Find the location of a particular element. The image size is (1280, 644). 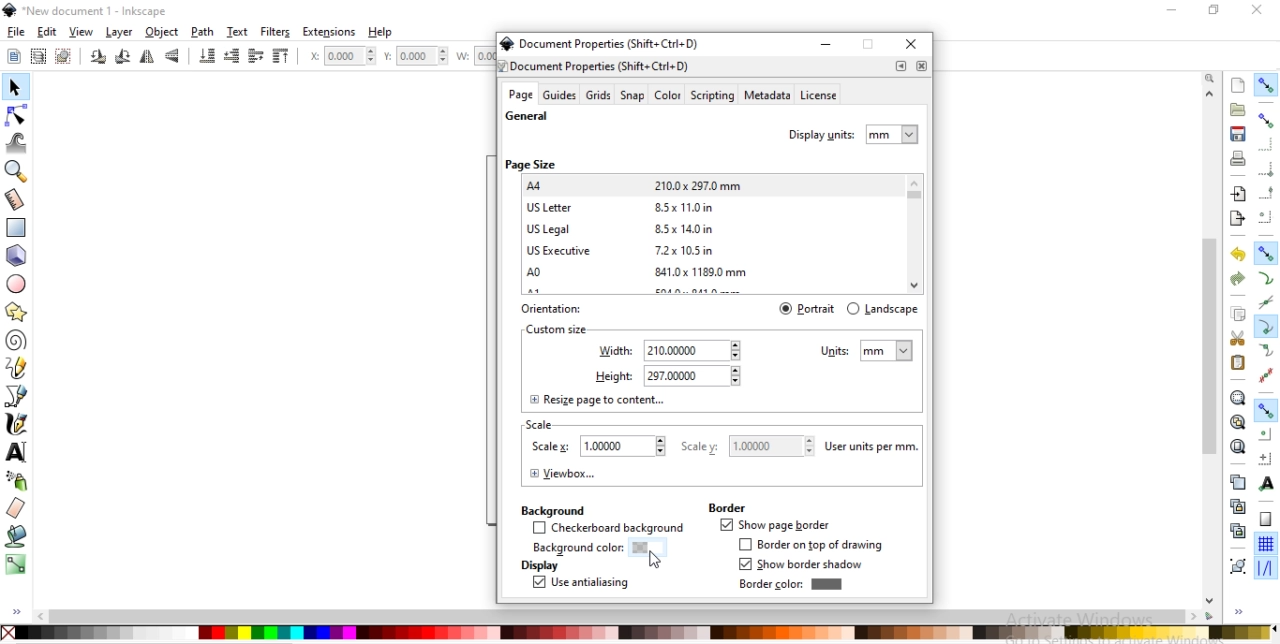

measurement tools is located at coordinates (18, 200).